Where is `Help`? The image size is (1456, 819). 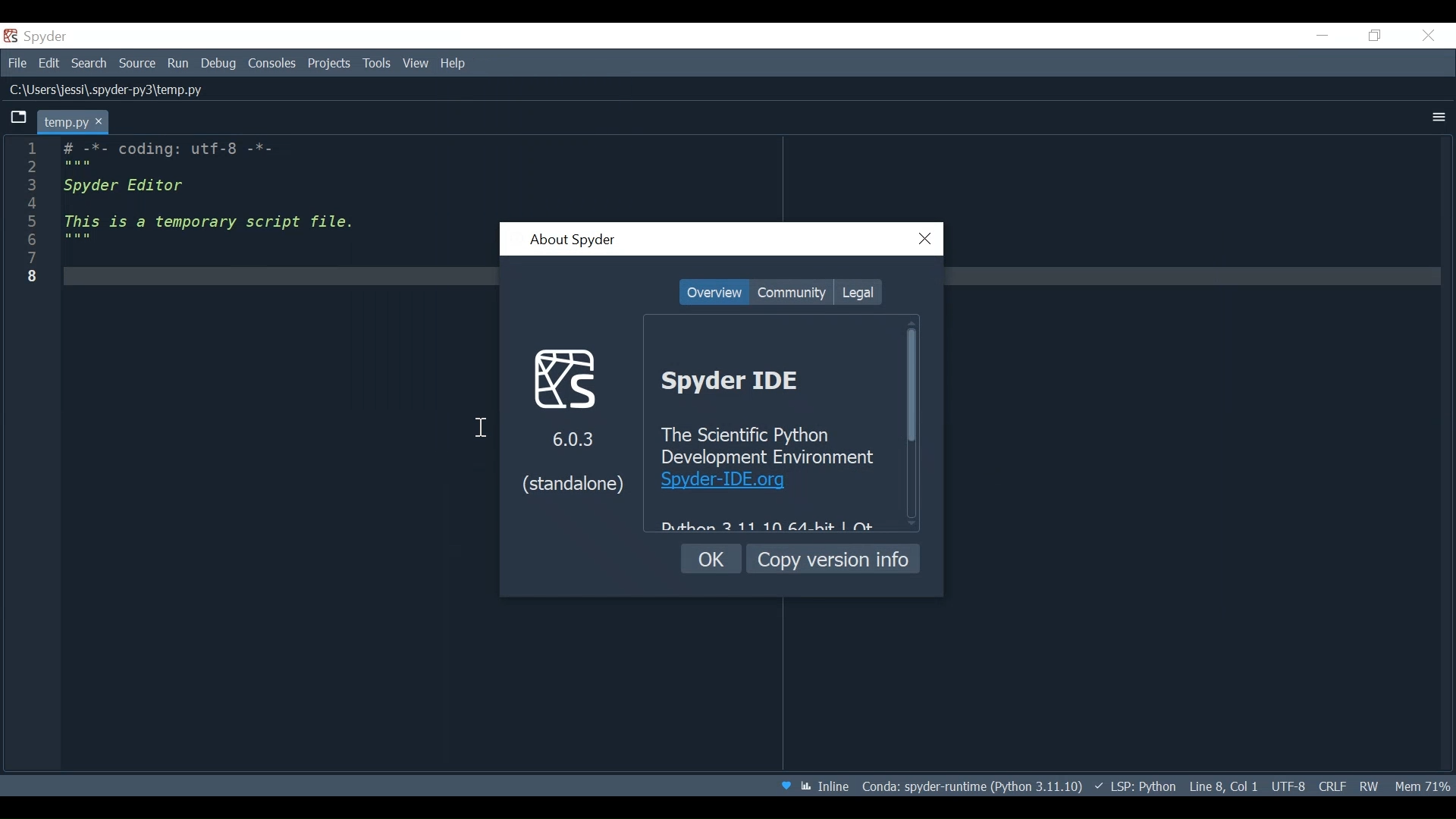
Help is located at coordinates (453, 63).